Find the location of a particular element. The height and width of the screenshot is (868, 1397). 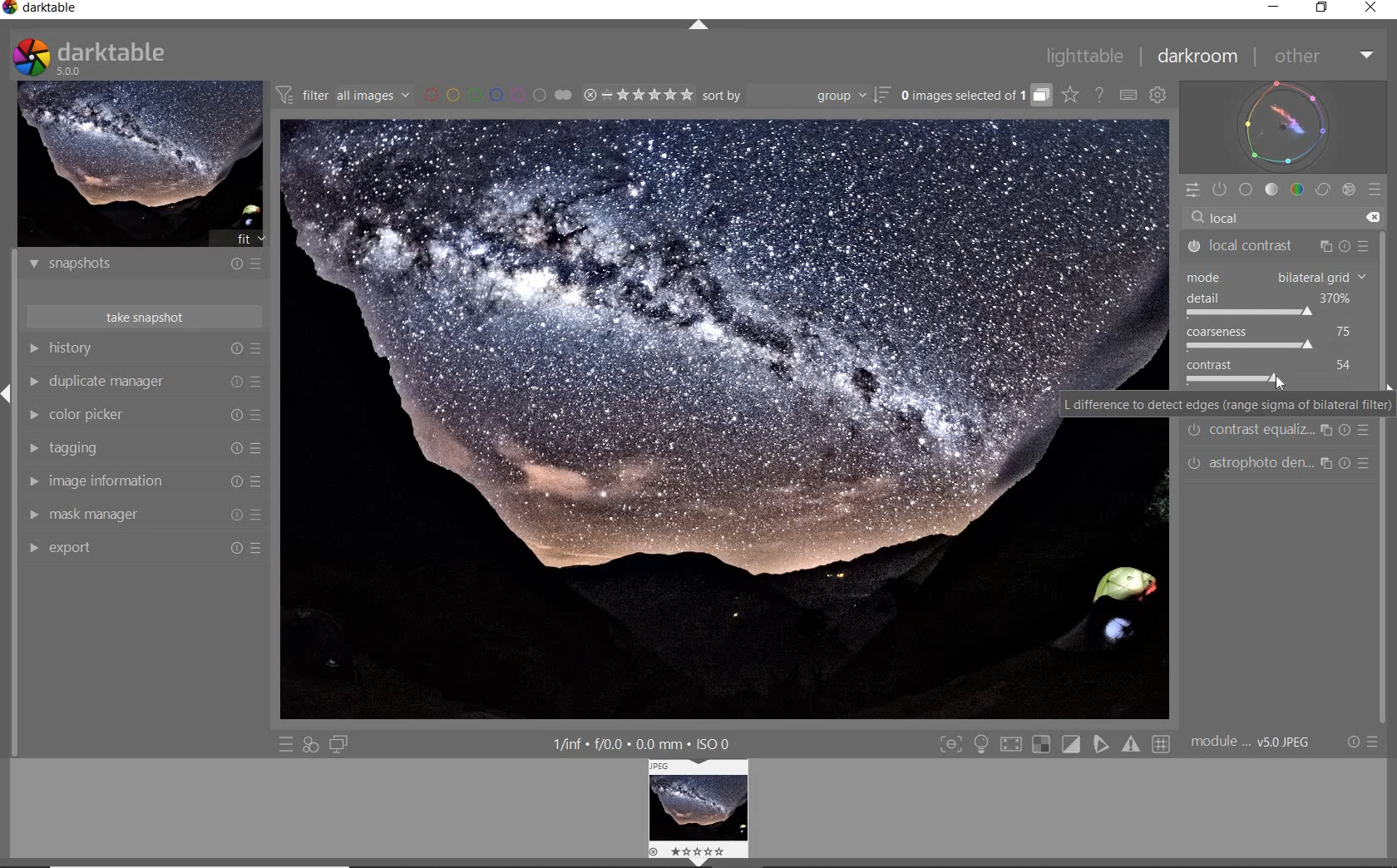

Export is located at coordinates (72, 548).